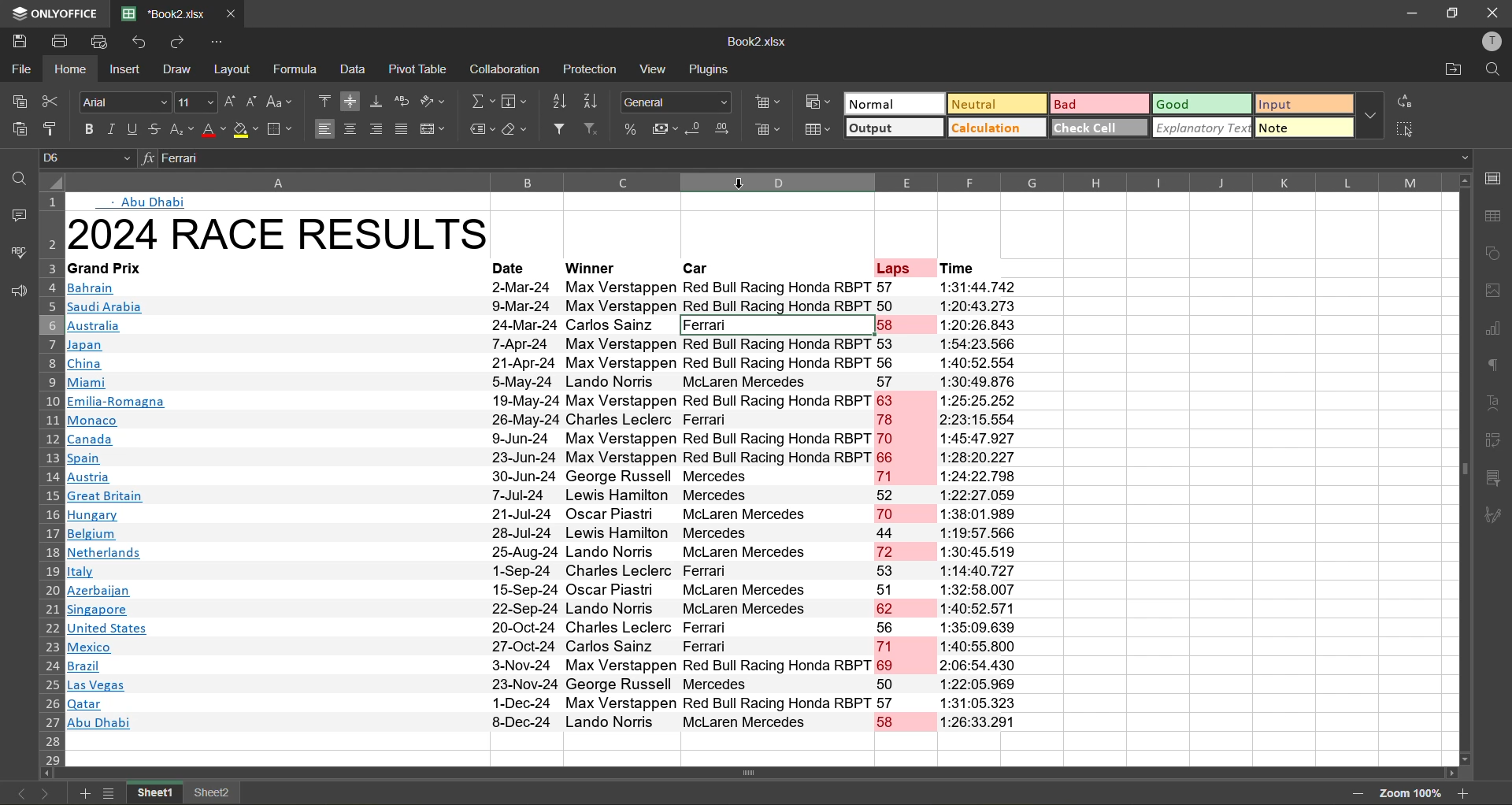 This screenshot has width=1512, height=805. Describe the element at coordinates (1447, 773) in the screenshot. I see `move right` at that location.